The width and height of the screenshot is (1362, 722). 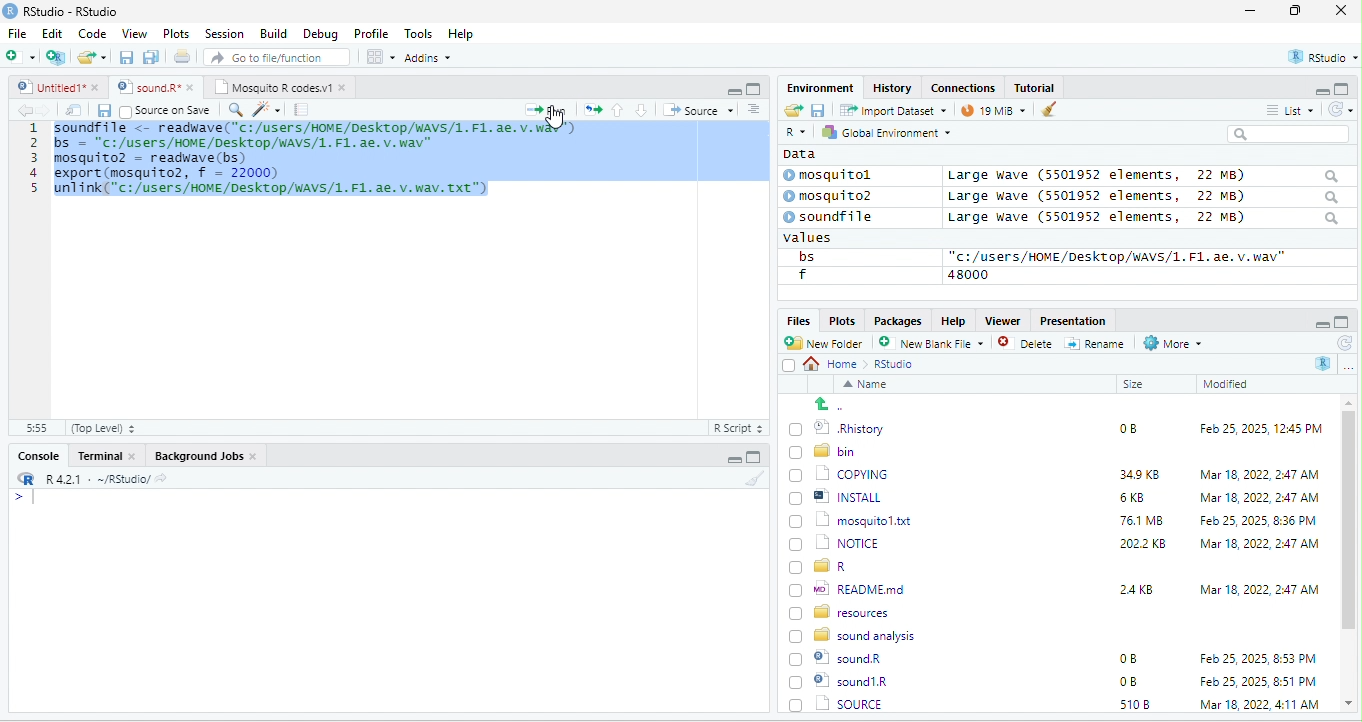 What do you see at coordinates (1349, 554) in the screenshot?
I see `scroll bar` at bounding box center [1349, 554].